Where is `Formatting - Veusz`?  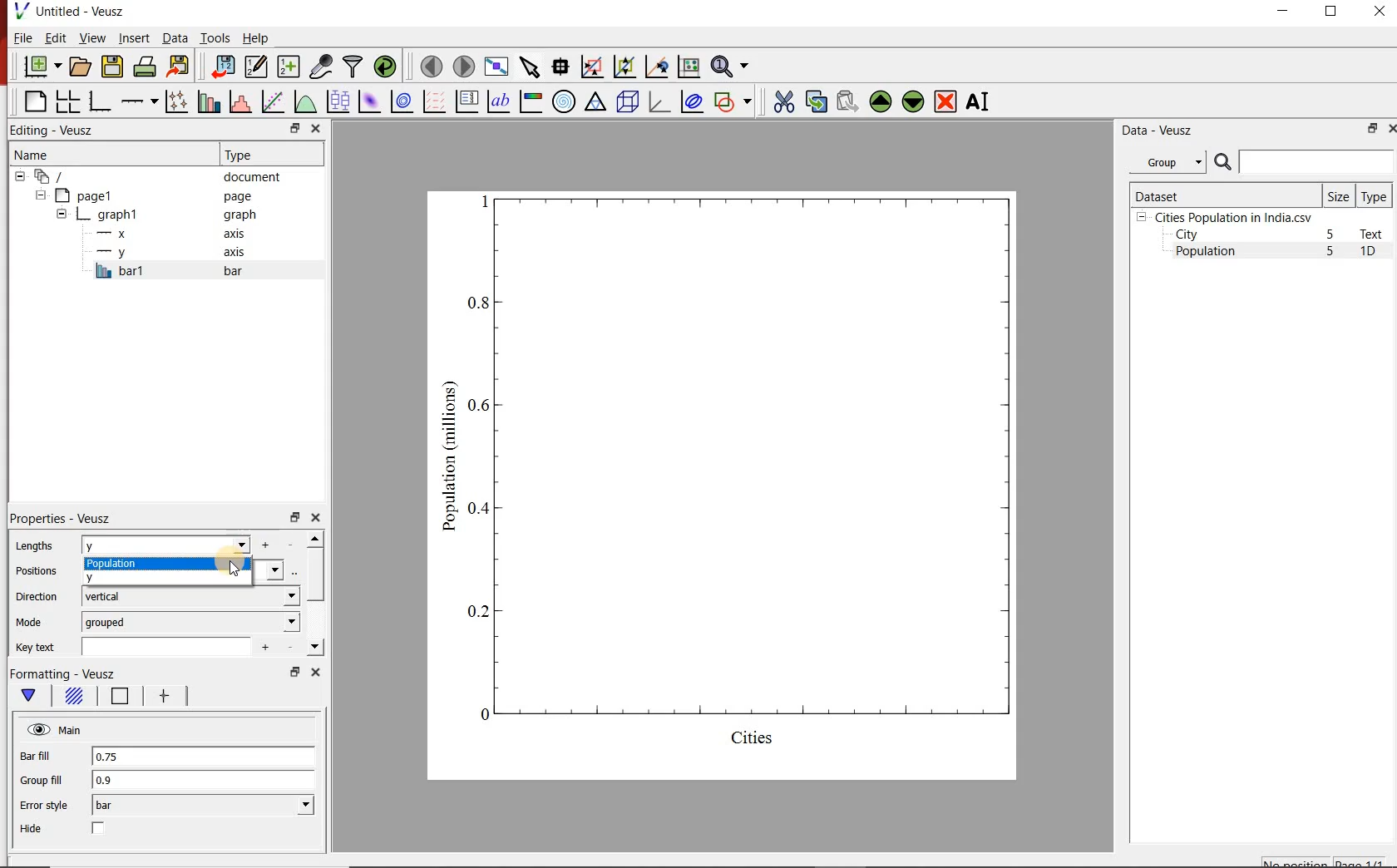
Formatting - Veusz is located at coordinates (64, 674).